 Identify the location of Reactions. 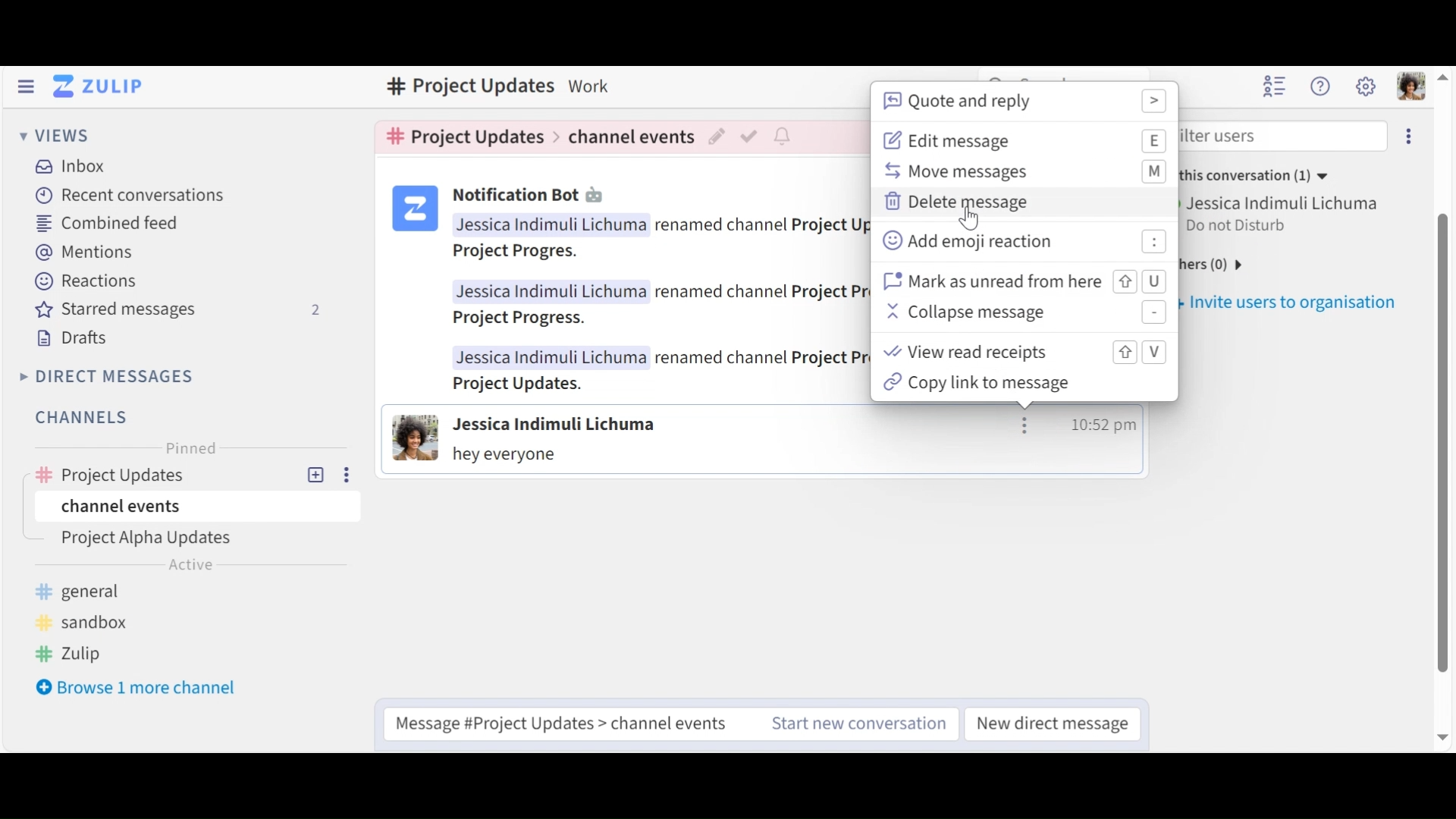
(88, 282).